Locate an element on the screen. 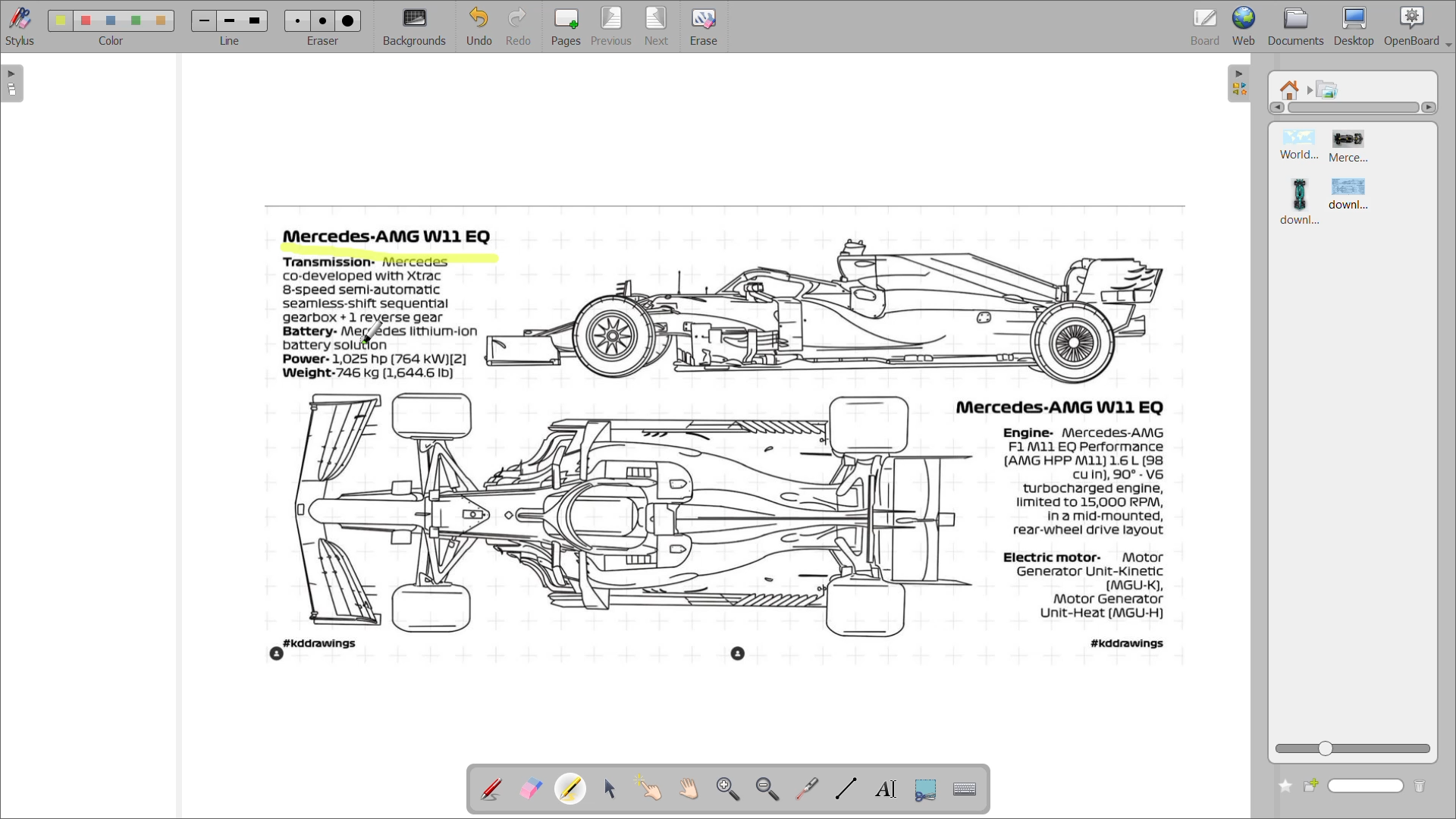 The height and width of the screenshot is (819, 1456). name box is located at coordinates (1369, 786).